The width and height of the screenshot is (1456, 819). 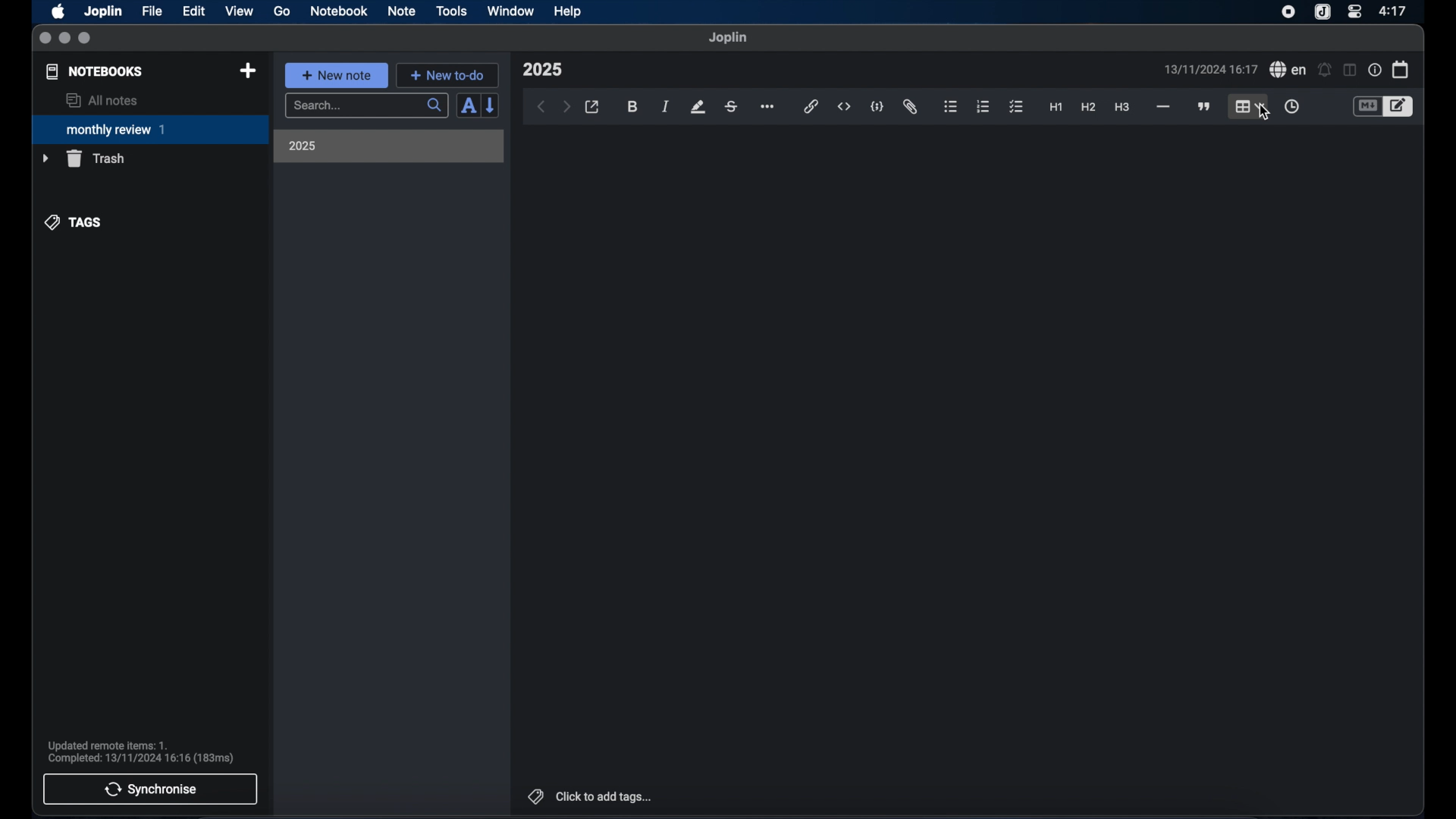 What do you see at coordinates (1210, 69) in the screenshot?
I see `date` at bounding box center [1210, 69].